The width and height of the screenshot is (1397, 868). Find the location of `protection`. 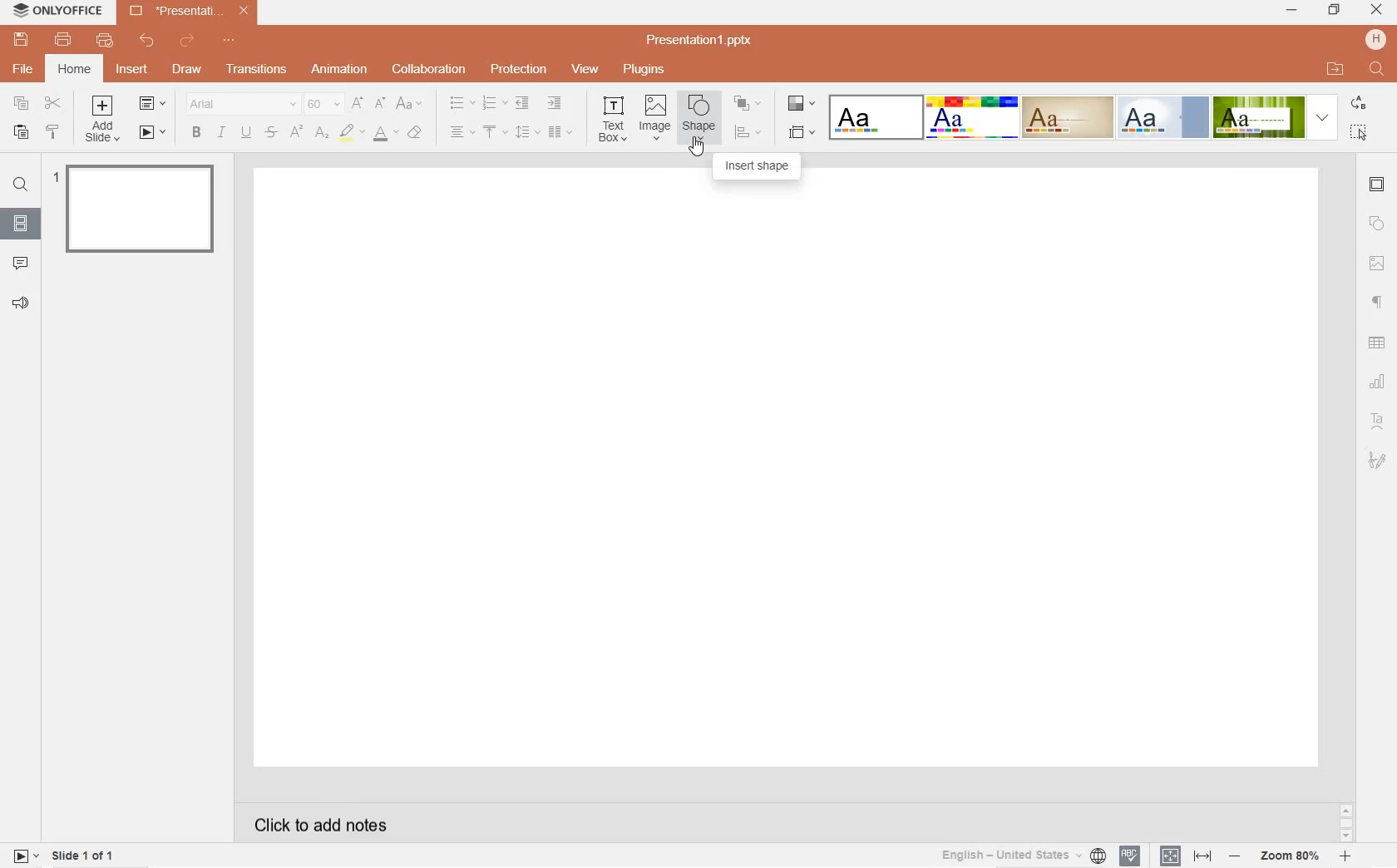

protection is located at coordinates (518, 71).